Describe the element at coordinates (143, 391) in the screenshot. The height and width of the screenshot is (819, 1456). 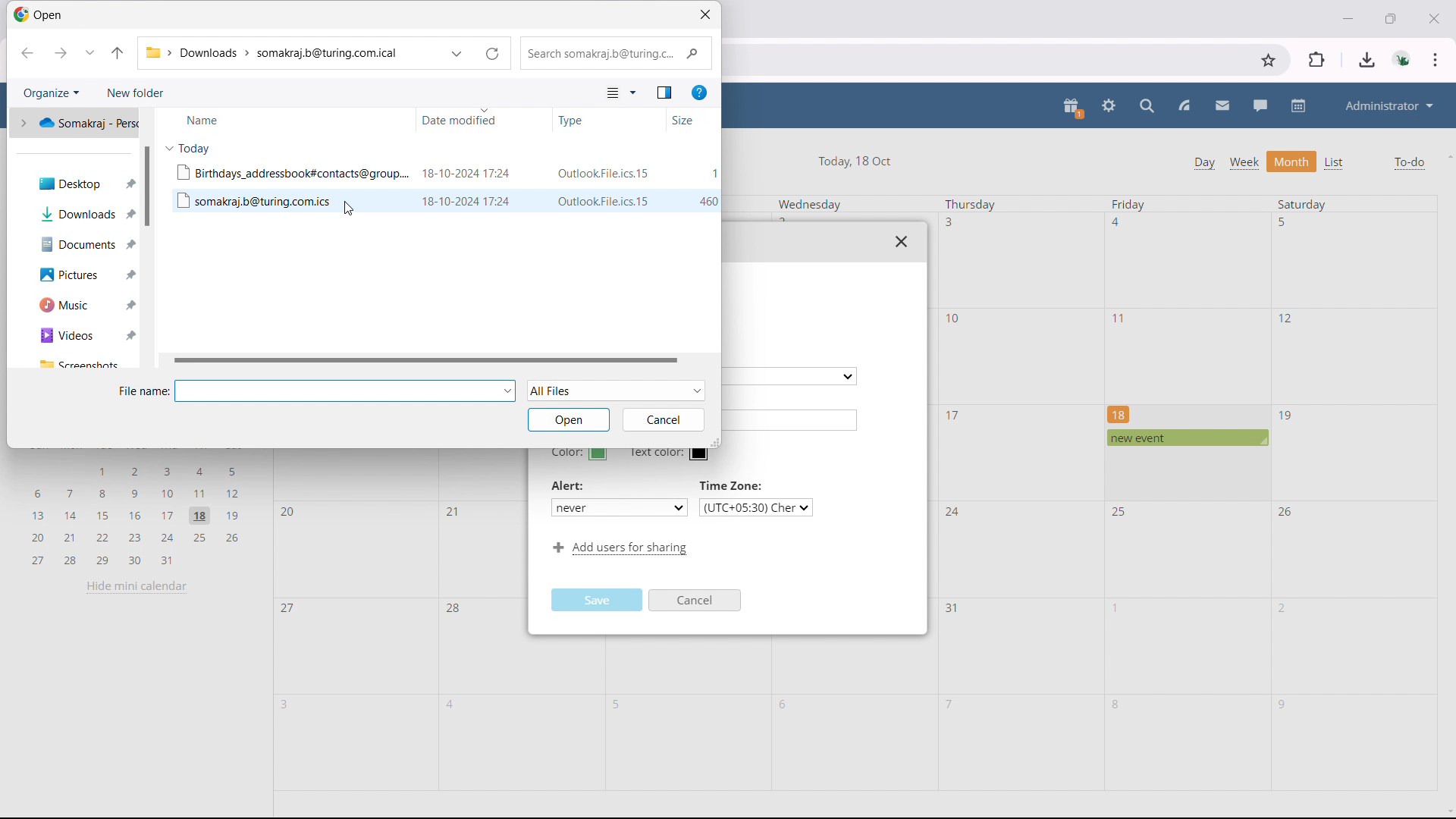
I see `File name:` at that location.